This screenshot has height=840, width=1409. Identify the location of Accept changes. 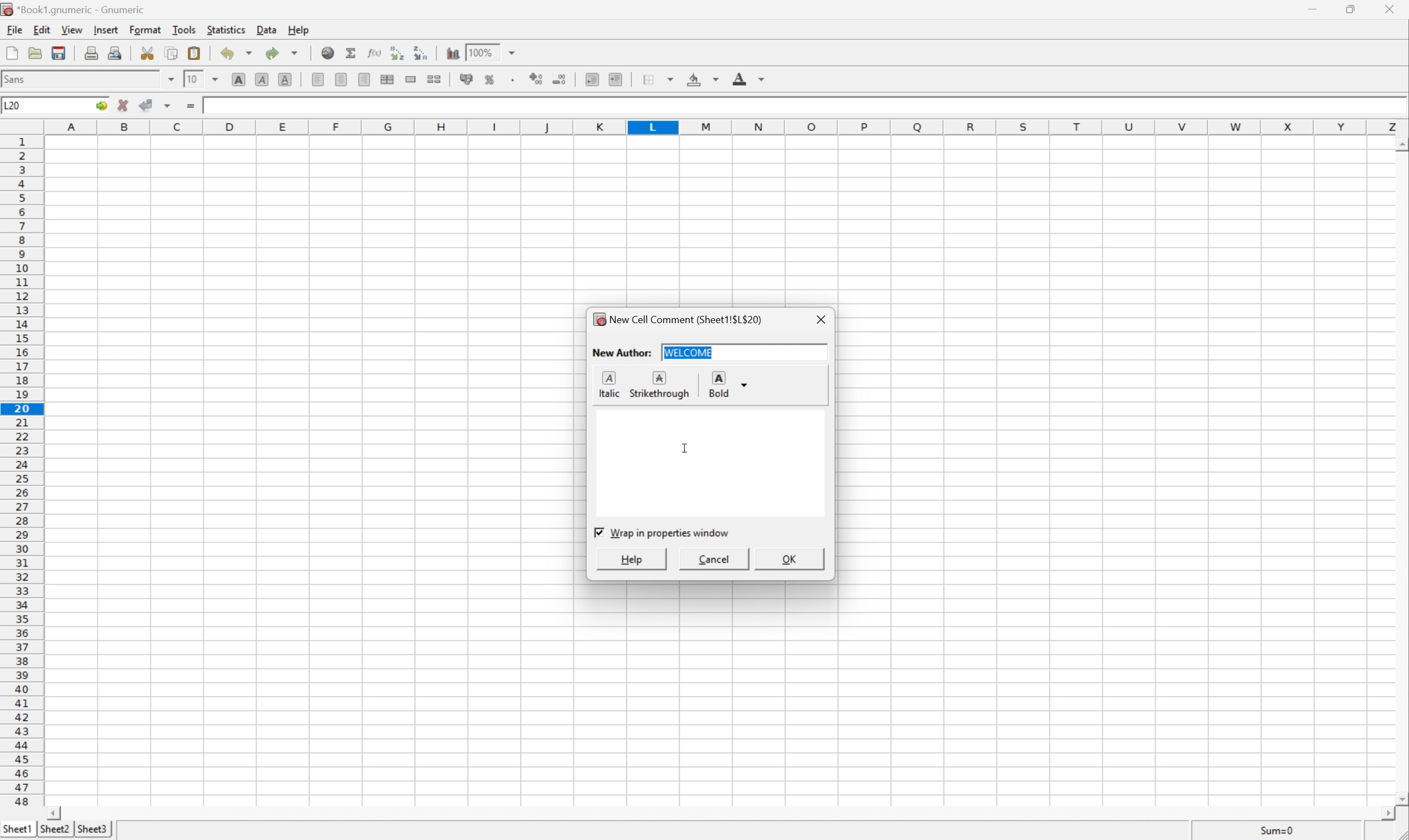
(146, 106).